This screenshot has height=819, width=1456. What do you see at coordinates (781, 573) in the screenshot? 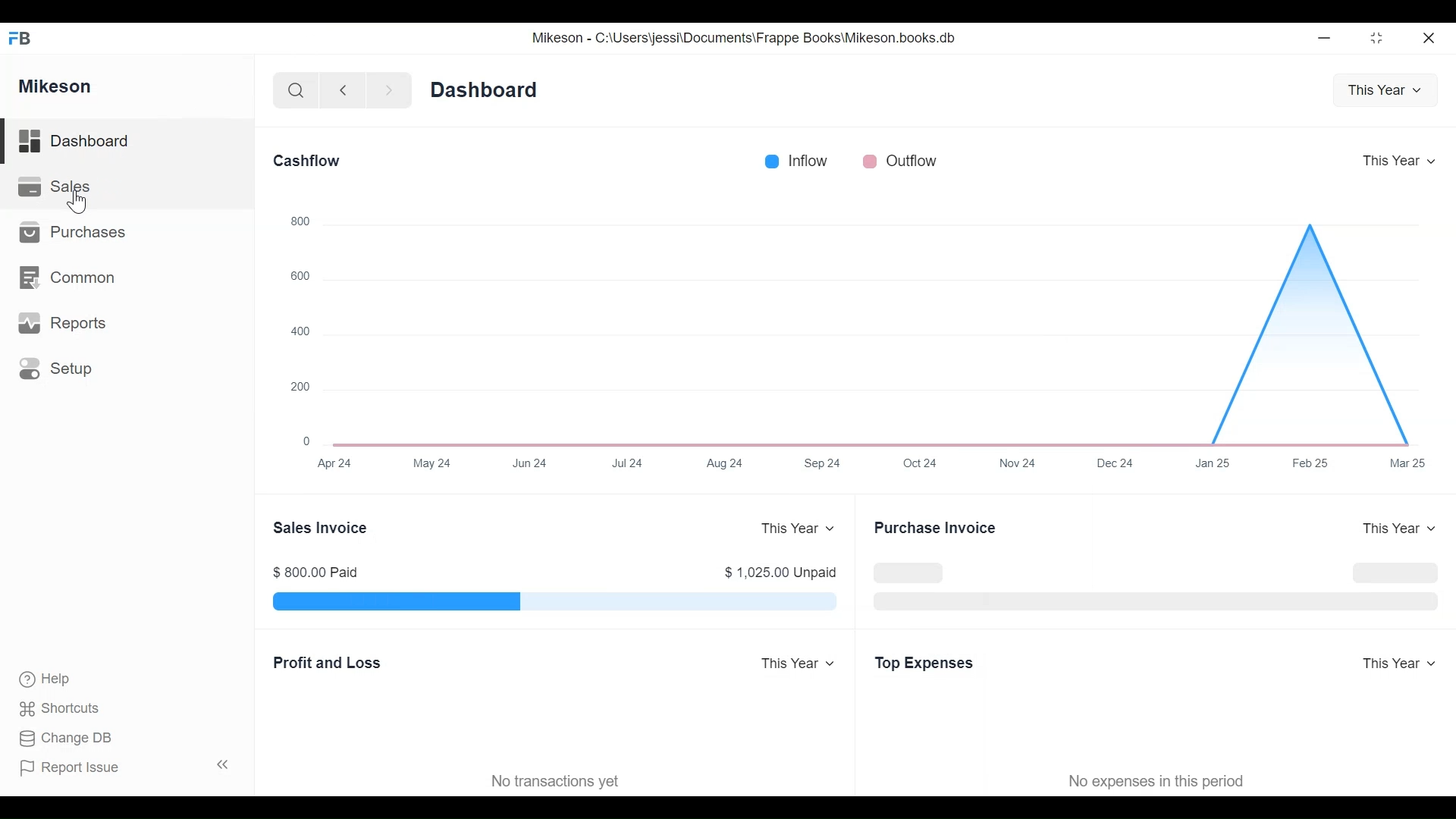
I see `$1,025.00 Unpaid` at bounding box center [781, 573].